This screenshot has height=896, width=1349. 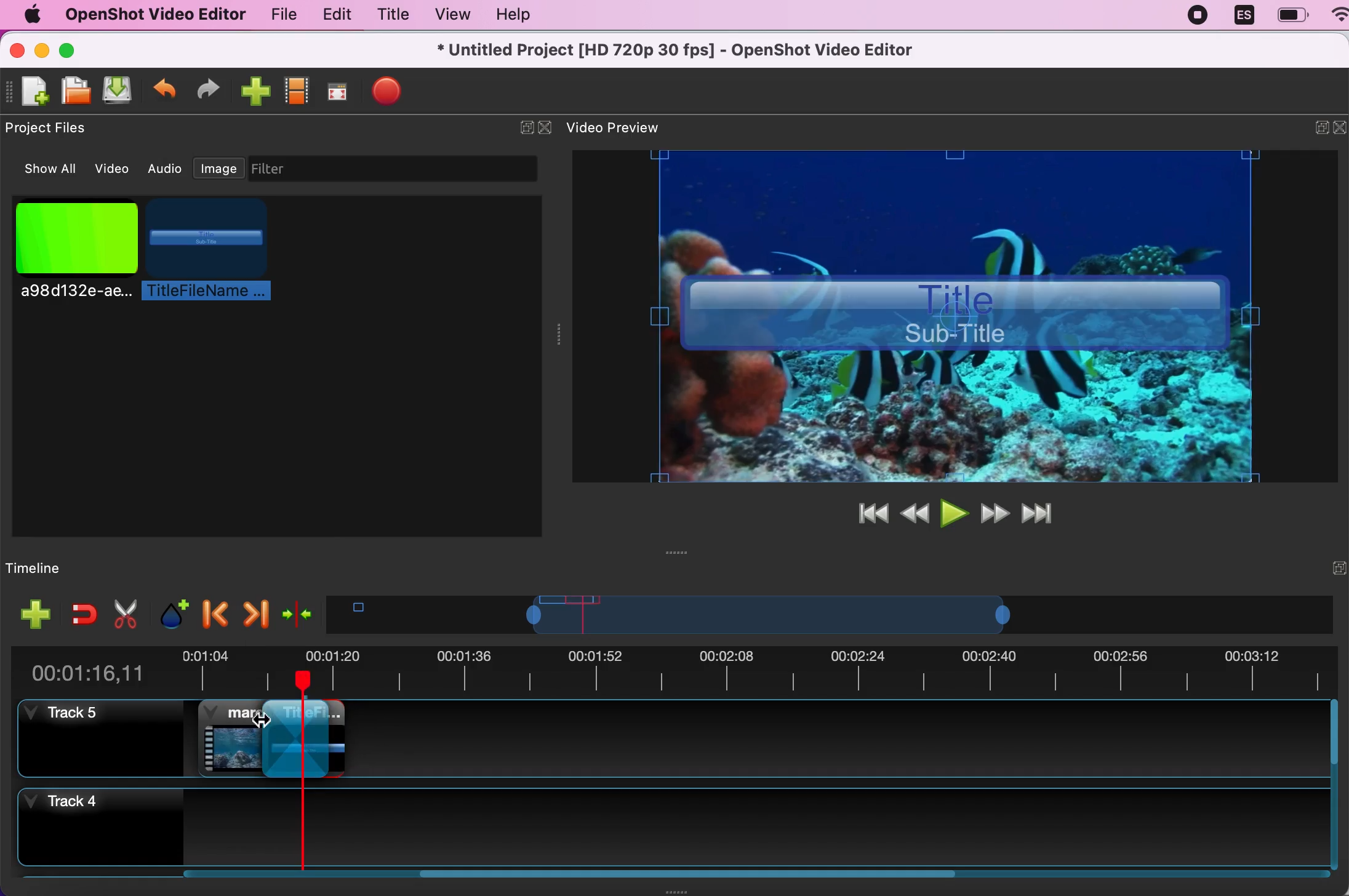 I want to click on timeline, so click(x=66, y=567).